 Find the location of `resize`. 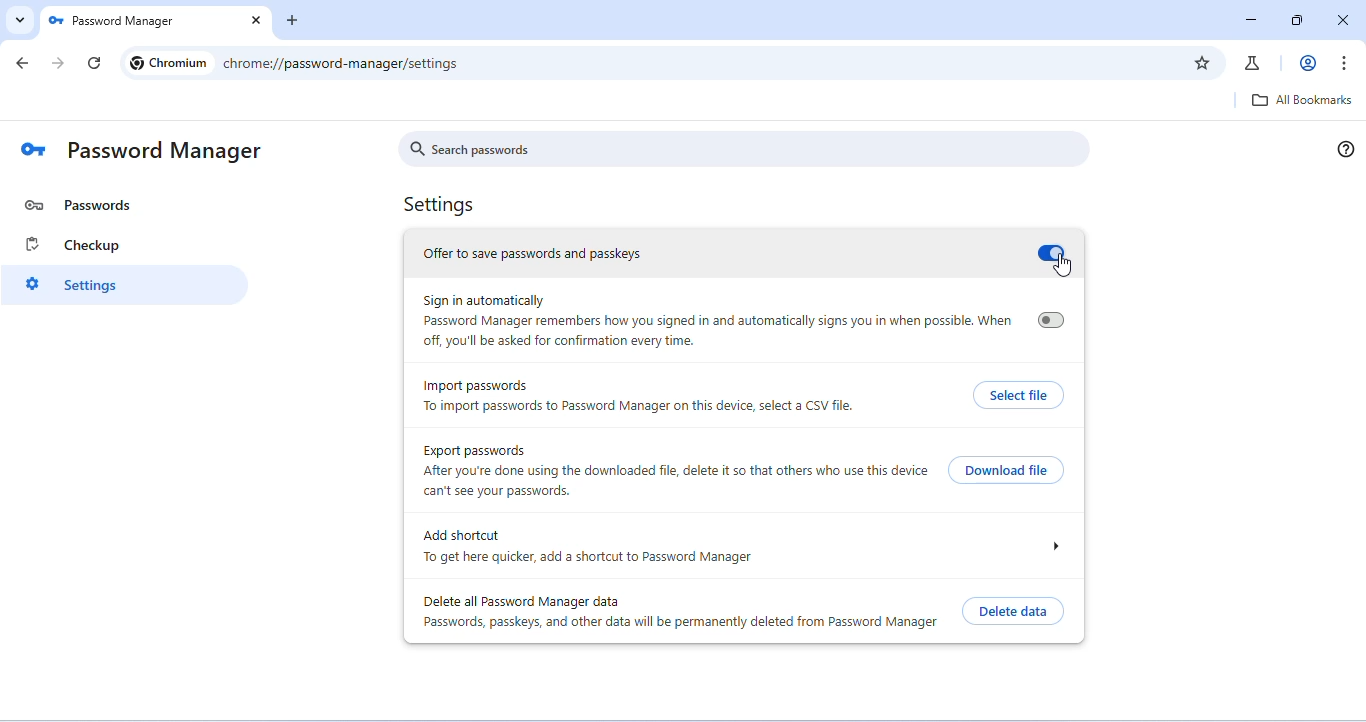

resize is located at coordinates (1295, 20).